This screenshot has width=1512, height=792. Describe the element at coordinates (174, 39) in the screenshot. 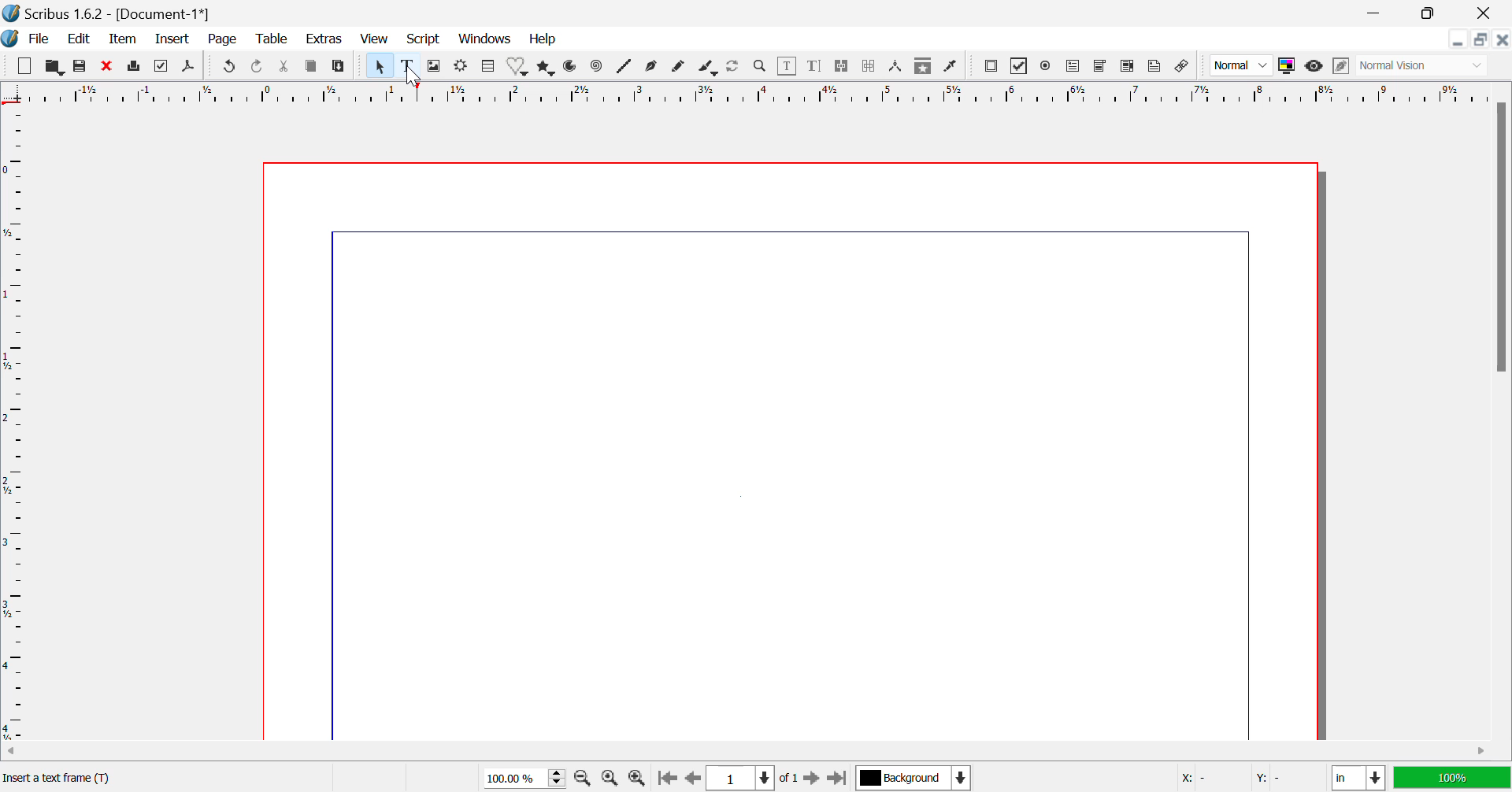

I see `Insert` at that location.